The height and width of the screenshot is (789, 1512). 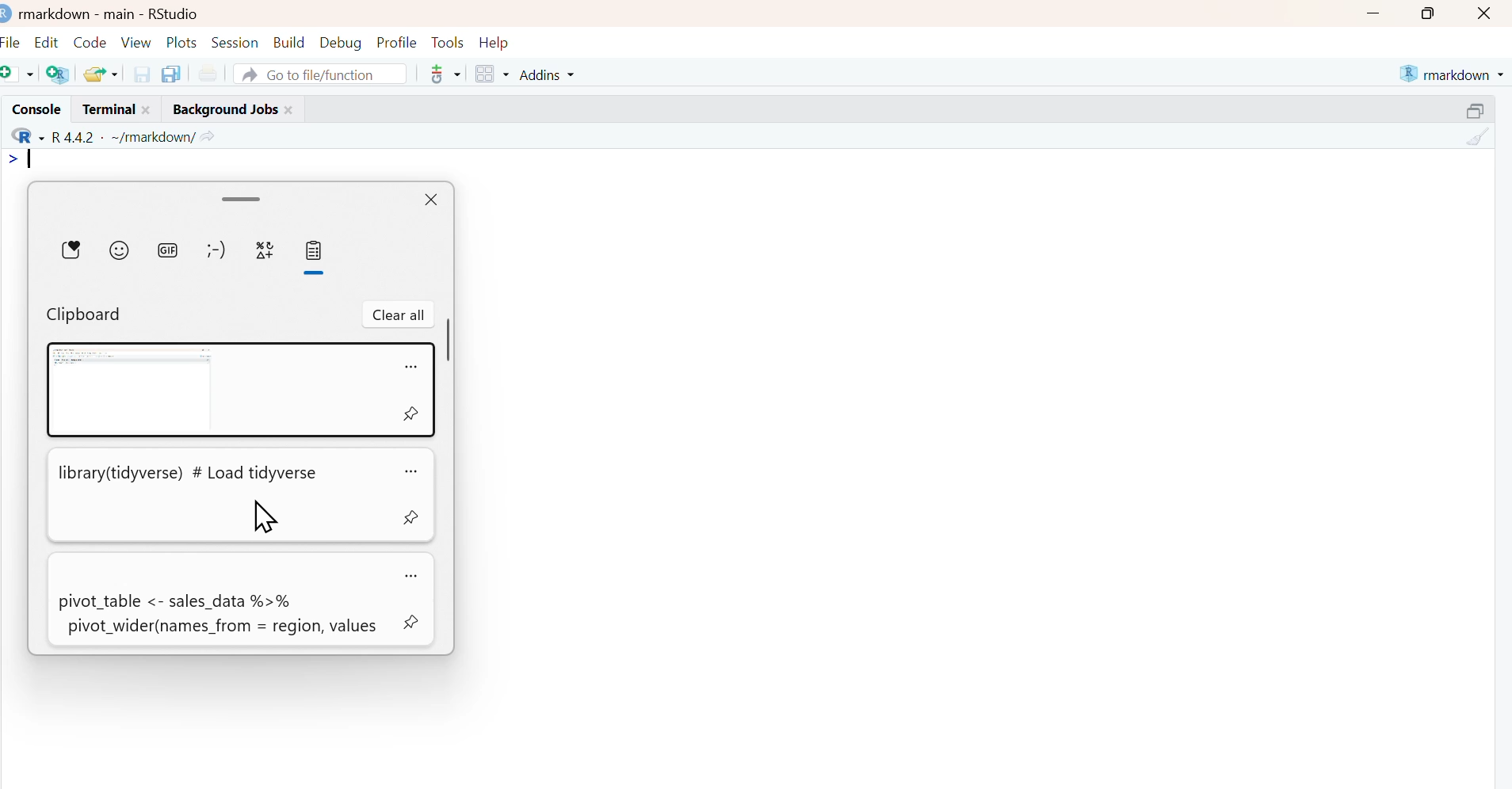 I want to click on emojis, so click(x=120, y=251).